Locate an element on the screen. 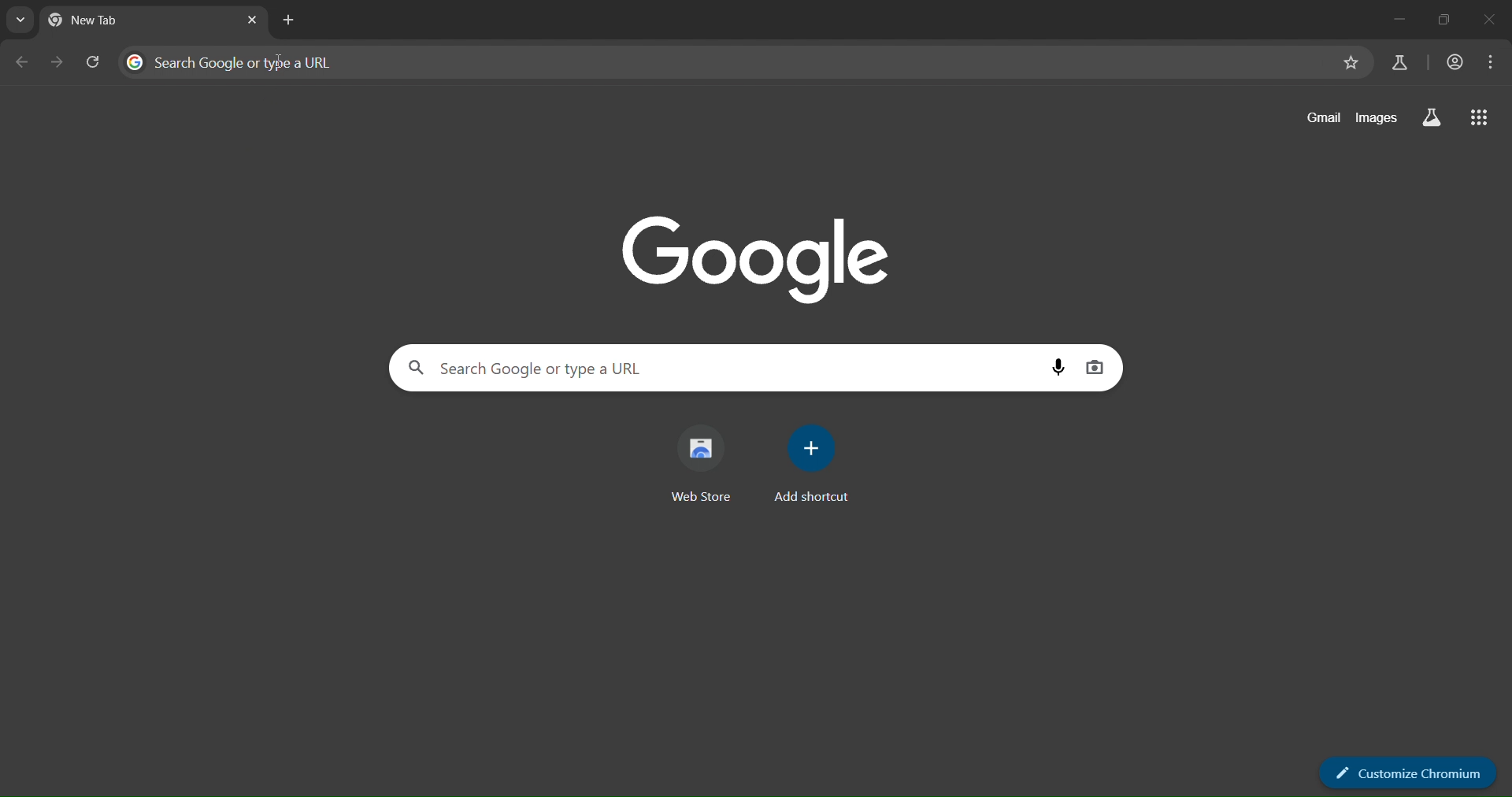 The height and width of the screenshot is (797, 1512). web store is located at coordinates (706, 465).